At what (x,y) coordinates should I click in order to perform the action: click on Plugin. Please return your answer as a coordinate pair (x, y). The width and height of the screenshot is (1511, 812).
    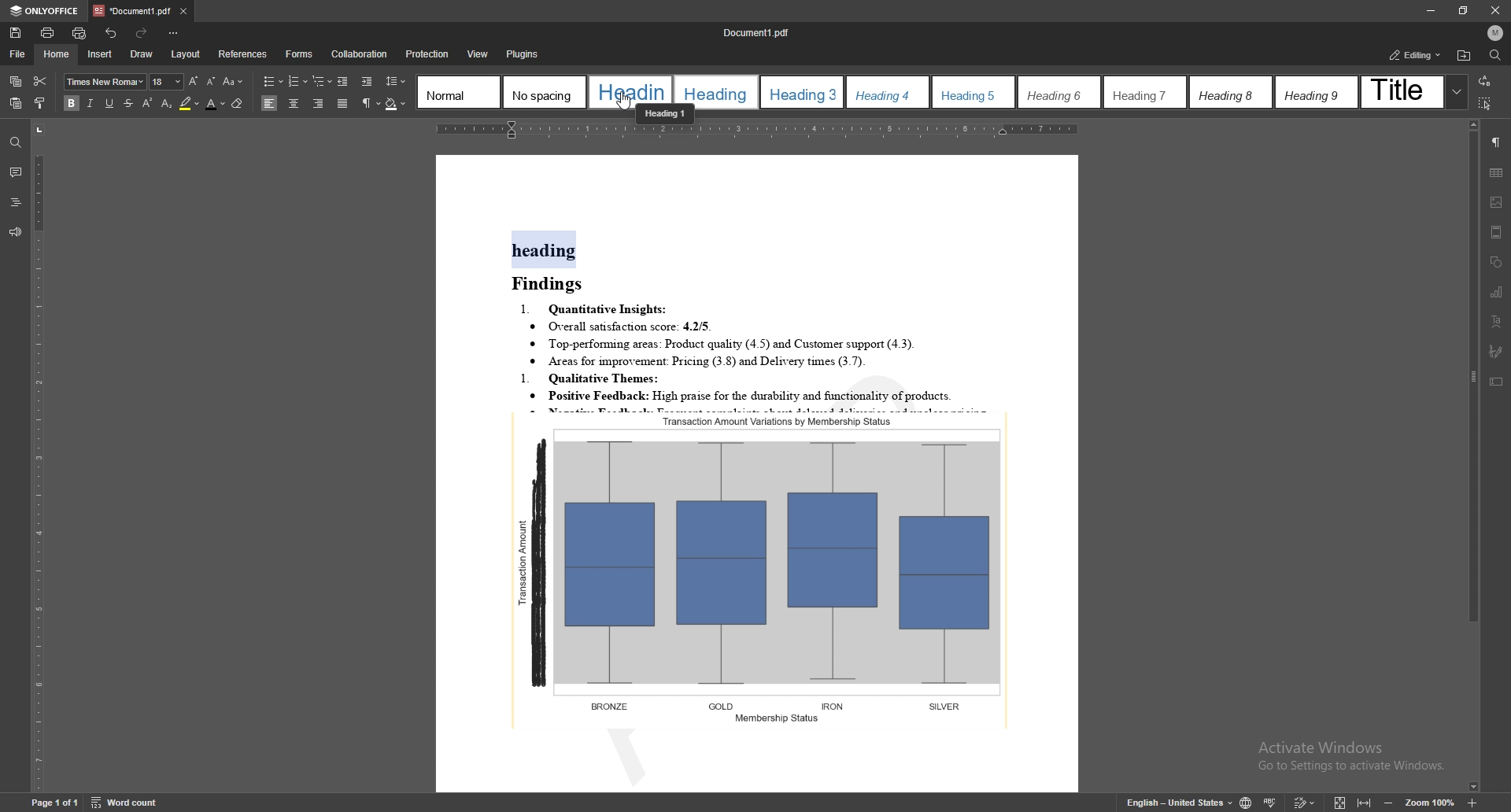
    Looking at the image, I should click on (523, 54).